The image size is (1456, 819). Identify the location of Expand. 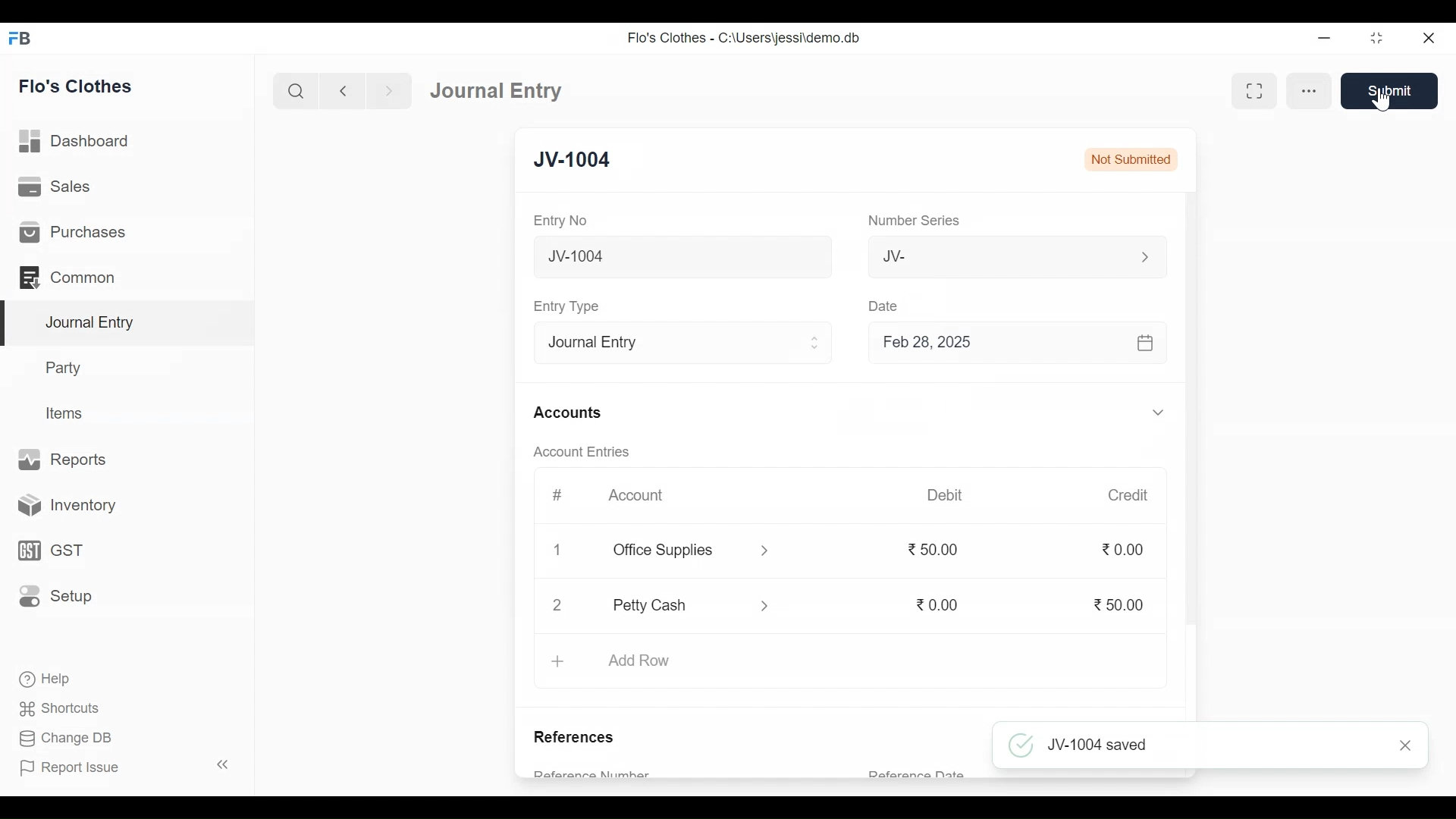
(1144, 257).